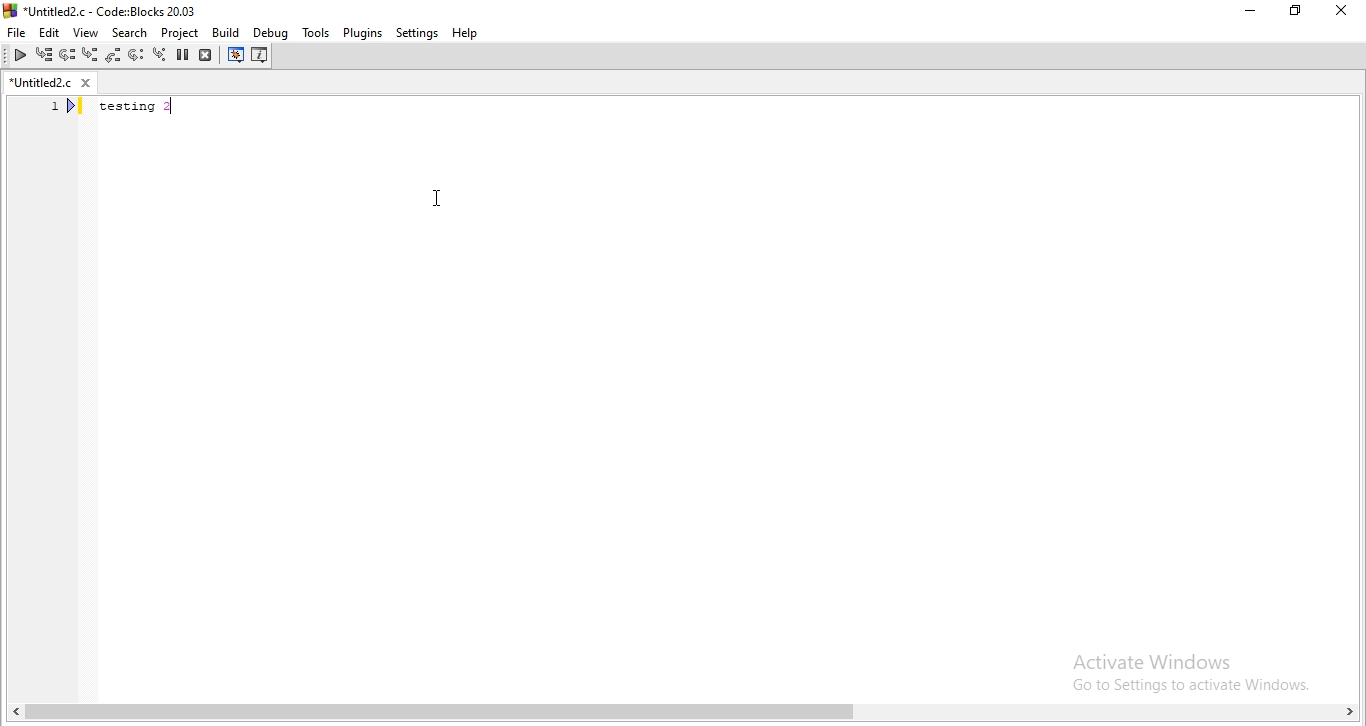 This screenshot has height=726, width=1366. Describe the element at coordinates (233, 56) in the screenshot. I see `debugging window` at that location.